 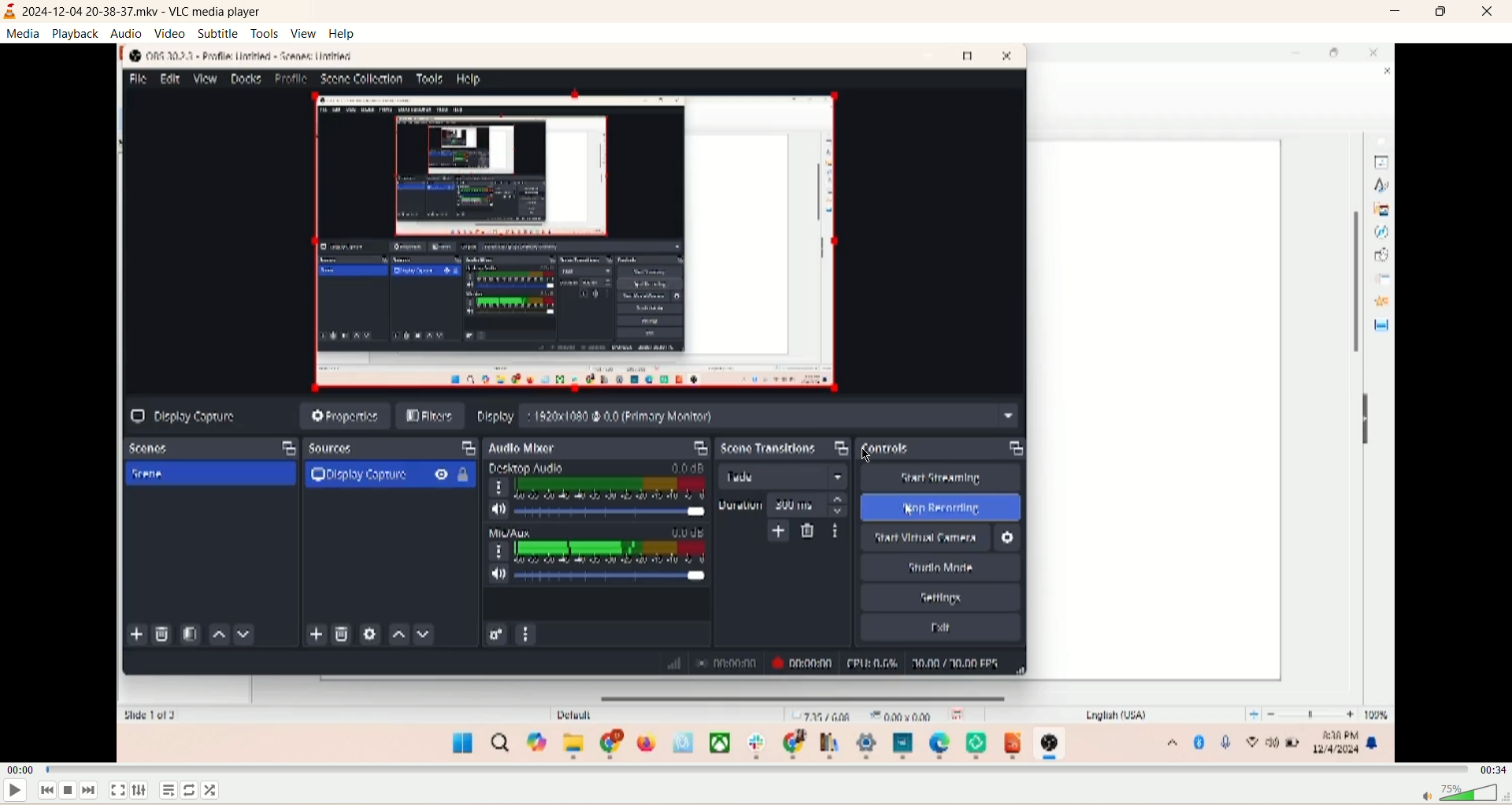 What do you see at coordinates (143, 11) in the screenshot?
I see `2024-12-04 20-38-37.mkv - VLC media player` at bounding box center [143, 11].